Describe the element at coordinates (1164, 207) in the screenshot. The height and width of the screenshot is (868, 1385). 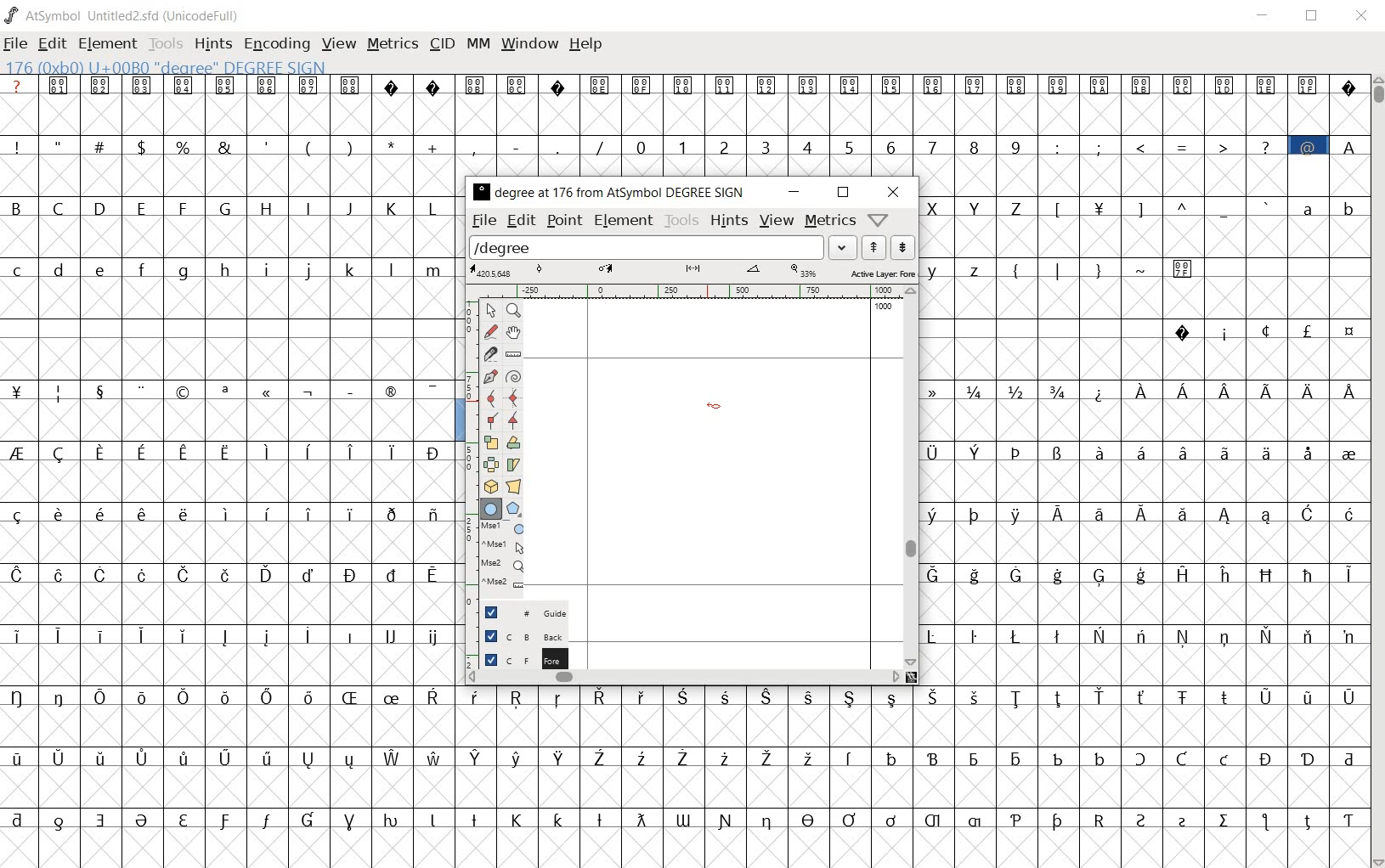
I see `special characters` at that location.